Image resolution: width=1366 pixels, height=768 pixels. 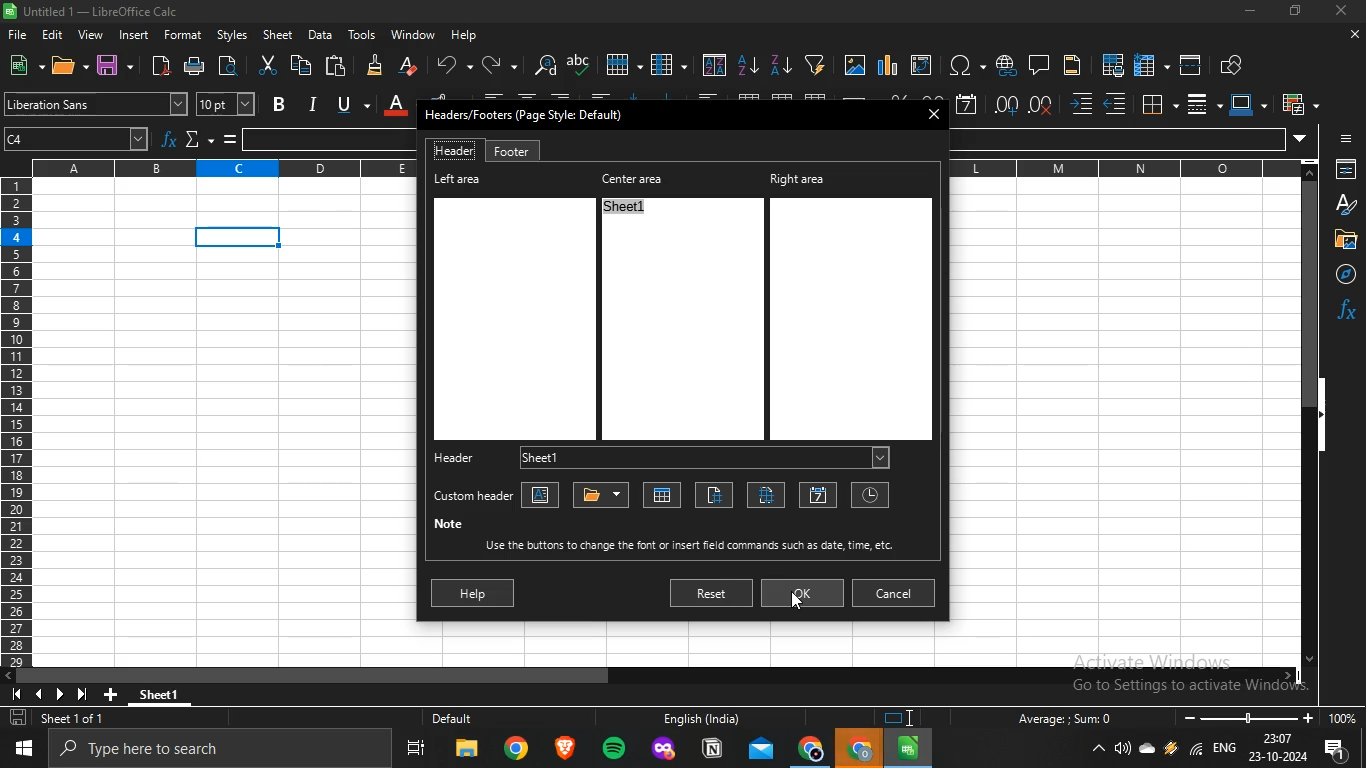 What do you see at coordinates (511, 151) in the screenshot?
I see `footer` at bounding box center [511, 151].